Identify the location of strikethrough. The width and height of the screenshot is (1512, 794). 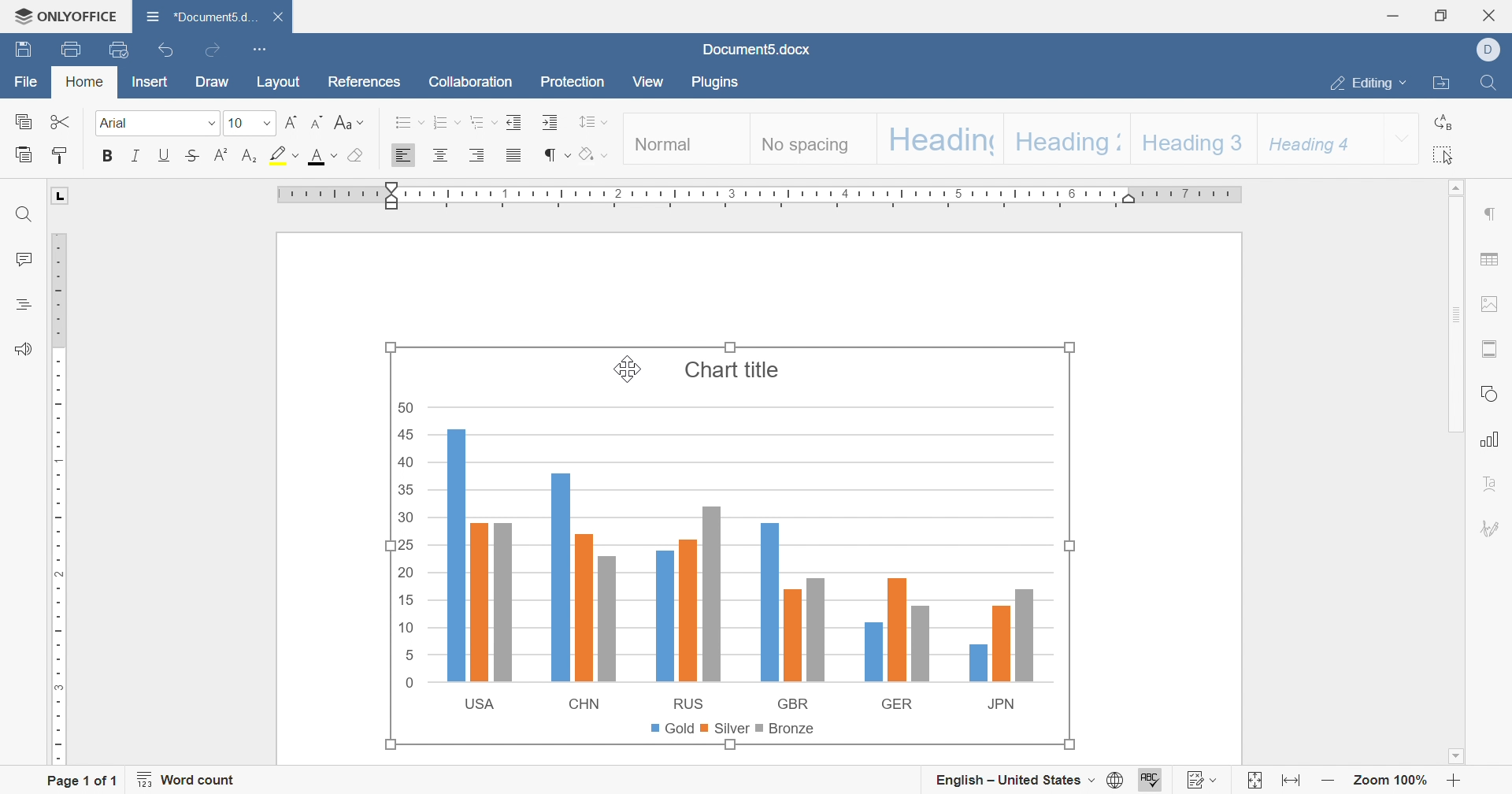
(192, 155).